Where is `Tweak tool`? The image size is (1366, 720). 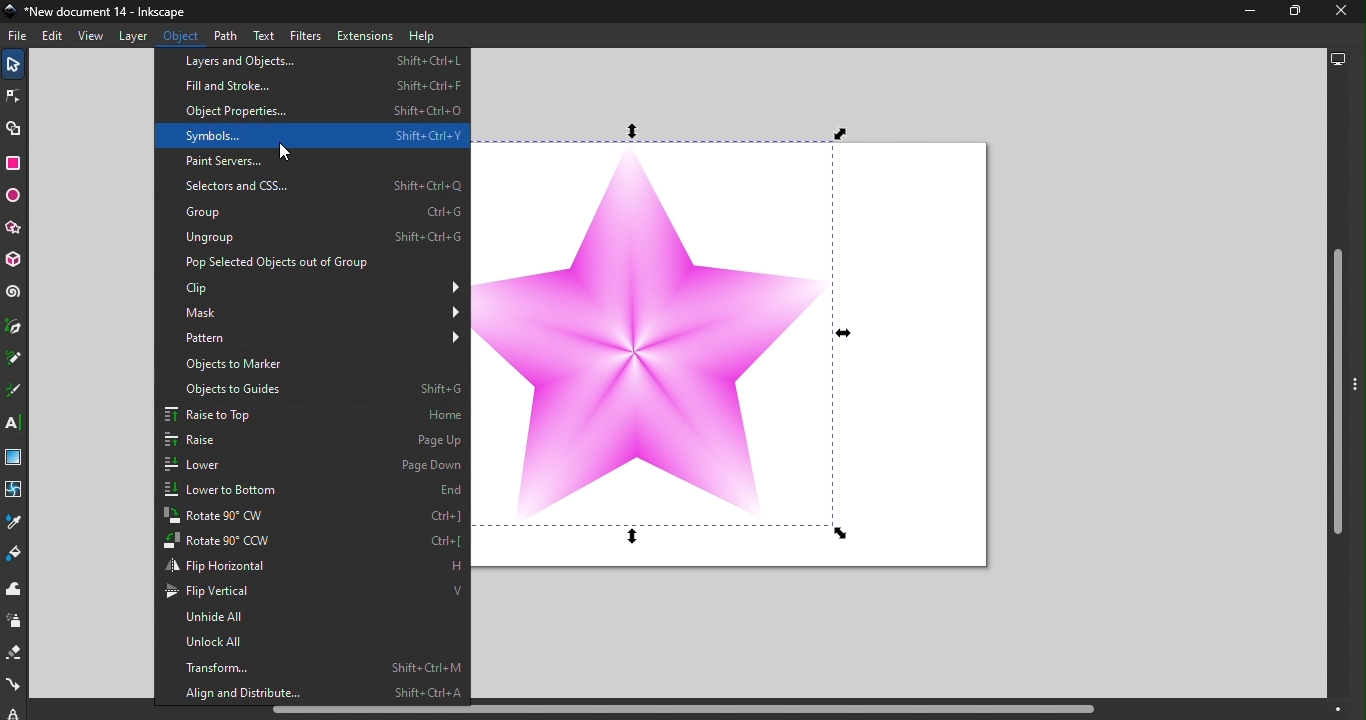
Tweak tool is located at coordinates (17, 587).